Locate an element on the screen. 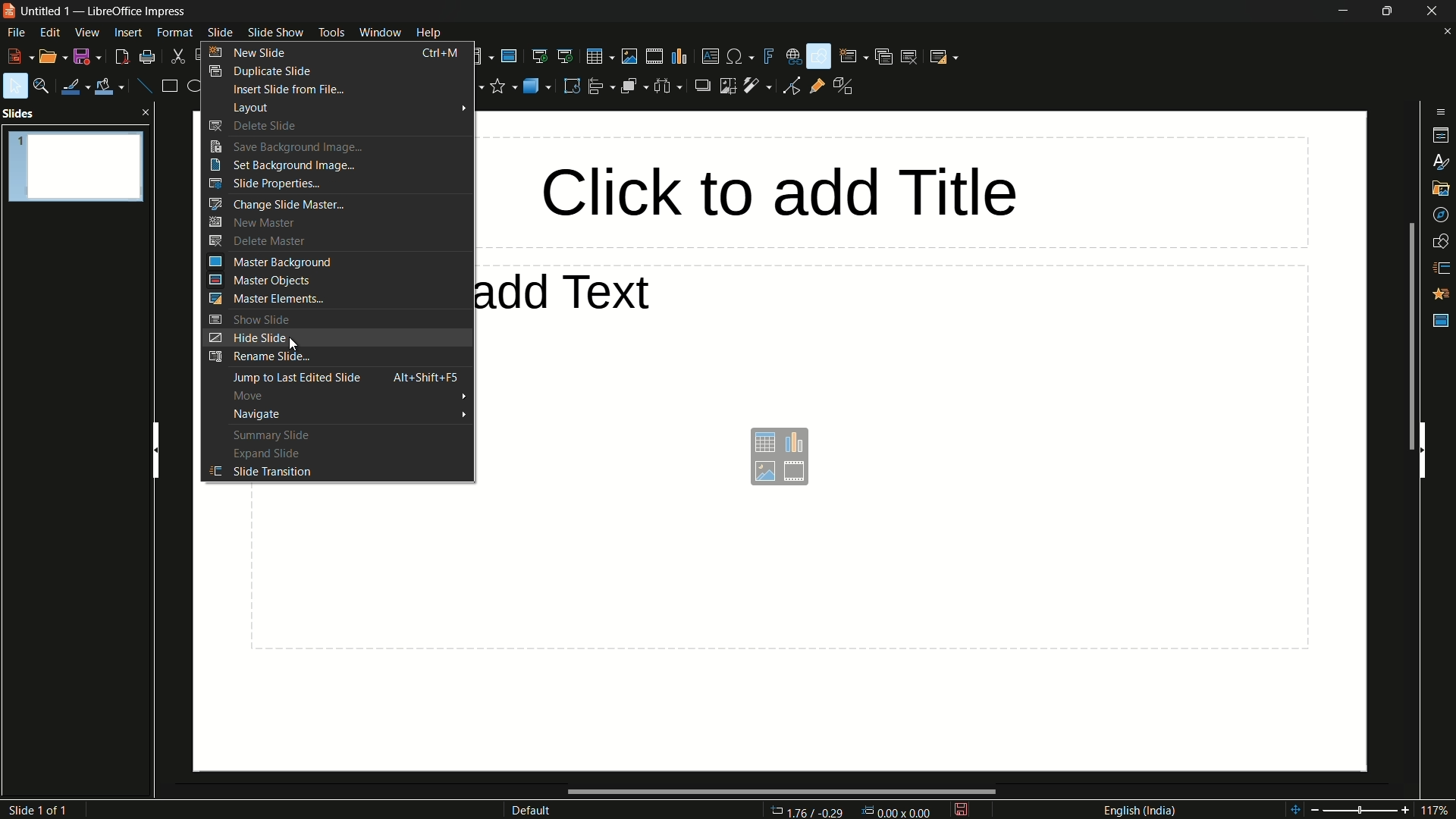 The image size is (1456, 819). click to add title is located at coordinates (786, 188).